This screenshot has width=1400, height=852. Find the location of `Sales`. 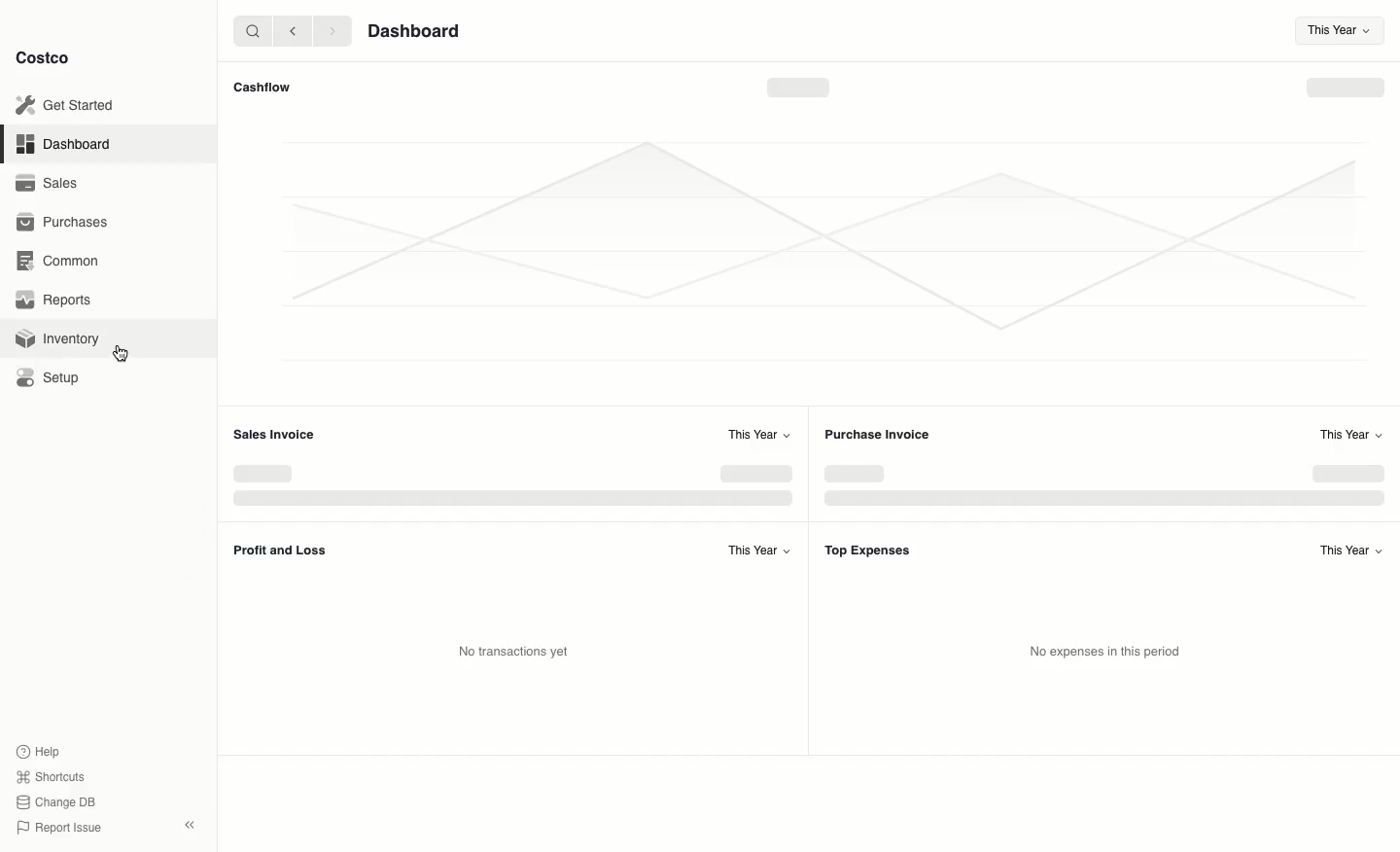

Sales is located at coordinates (50, 182).